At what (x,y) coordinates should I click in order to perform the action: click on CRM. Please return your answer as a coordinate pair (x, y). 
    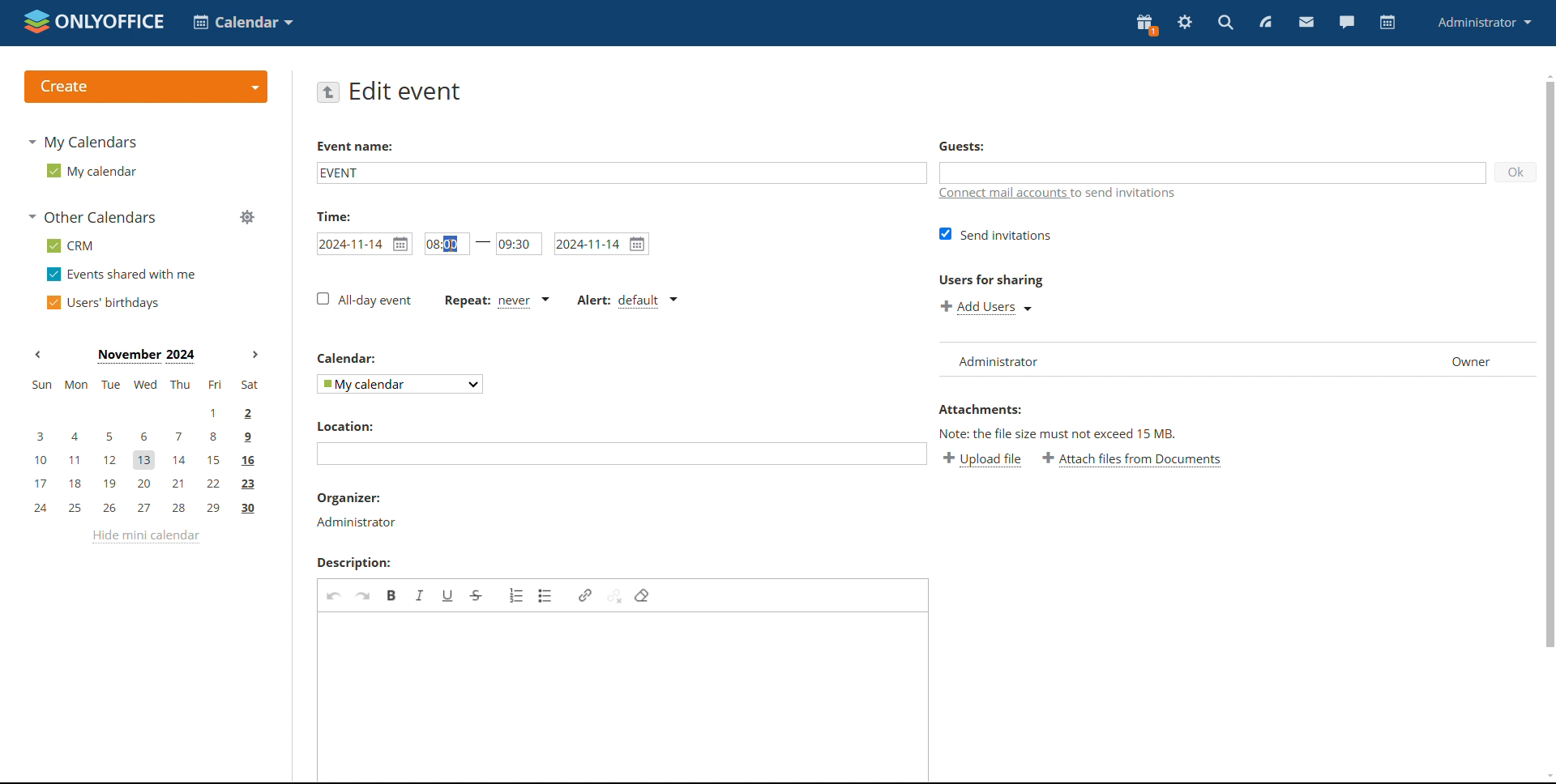
    Looking at the image, I should click on (71, 245).